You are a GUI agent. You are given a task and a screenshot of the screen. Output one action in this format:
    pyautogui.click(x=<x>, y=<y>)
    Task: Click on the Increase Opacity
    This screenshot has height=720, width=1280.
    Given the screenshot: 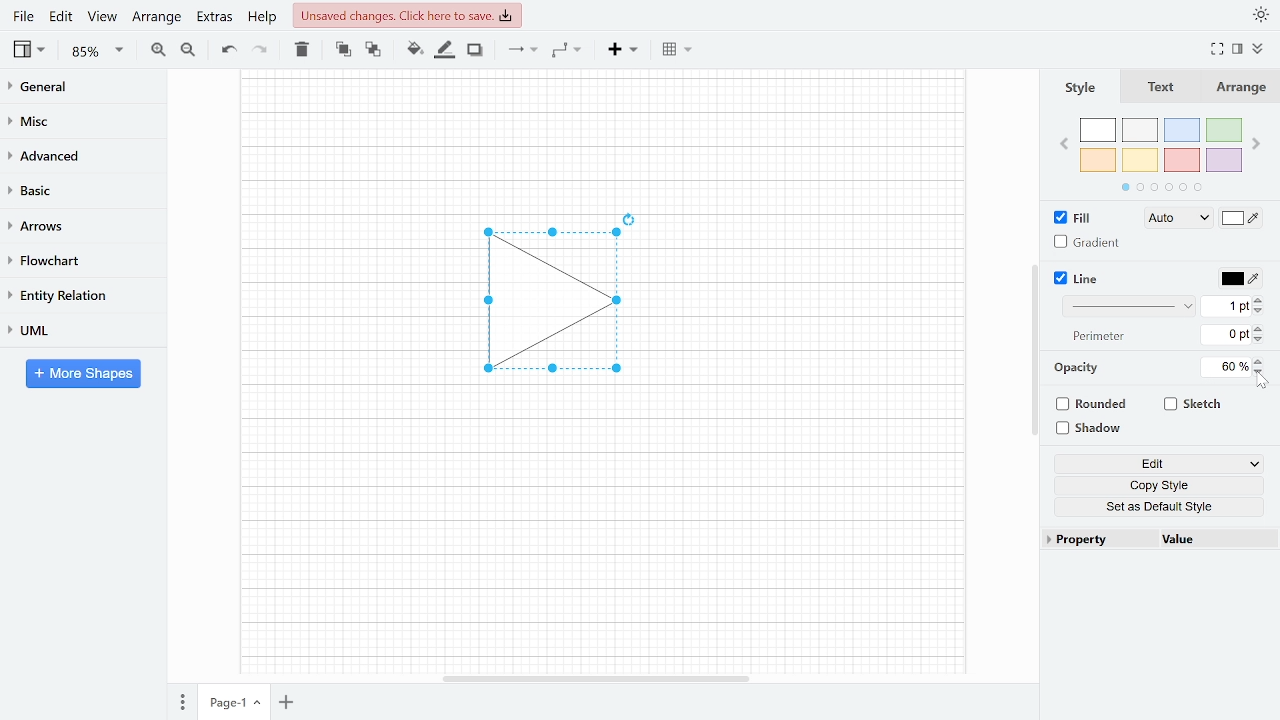 What is the action you would take?
    pyautogui.click(x=1260, y=360)
    